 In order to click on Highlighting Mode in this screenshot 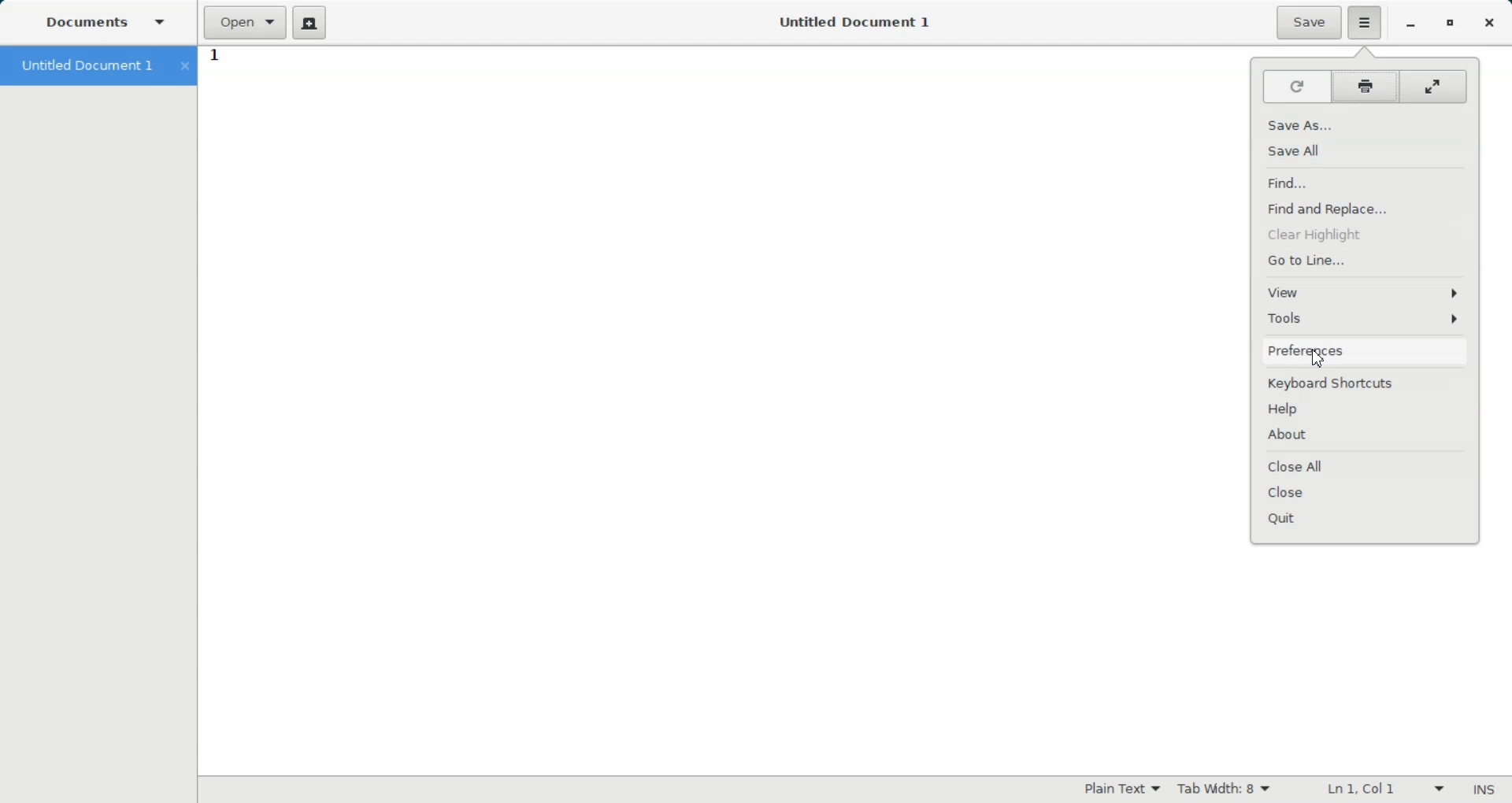, I will do `click(1123, 788)`.